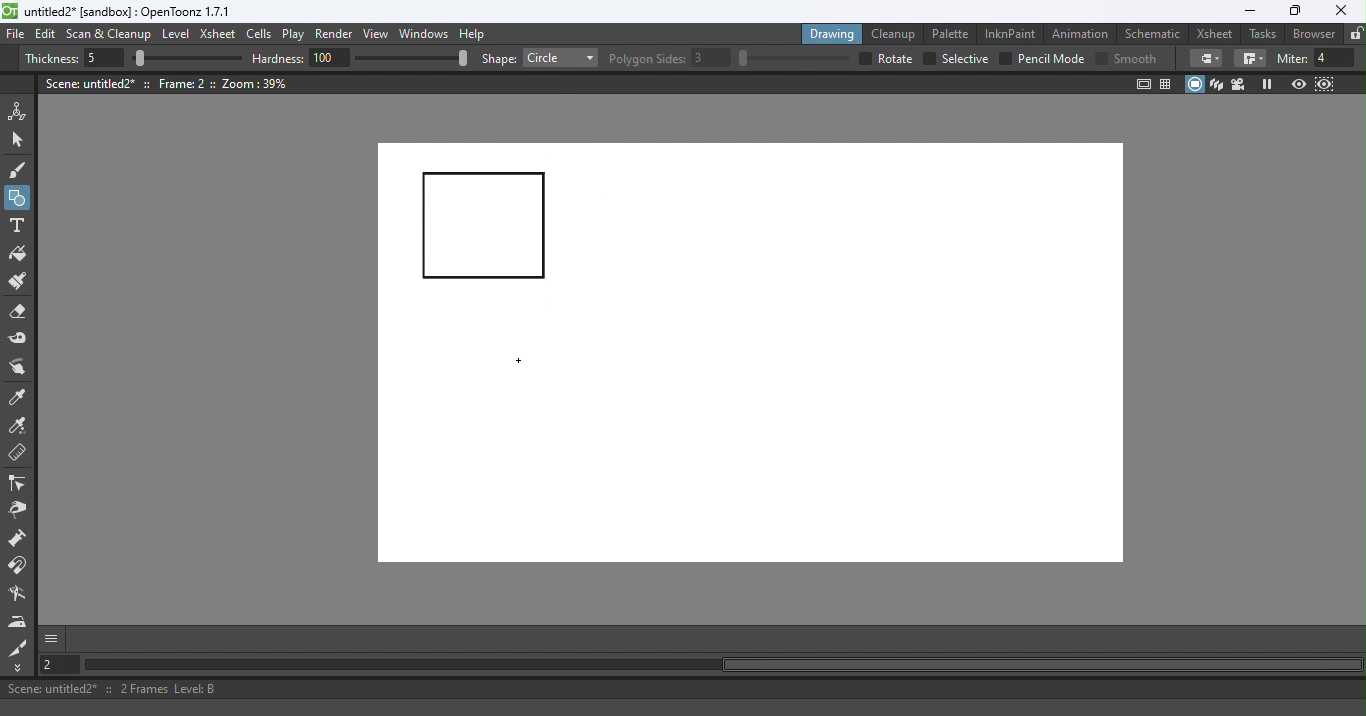  Describe the element at coordinates (1340, 11) in the screenshot. I see `Close` at that location.